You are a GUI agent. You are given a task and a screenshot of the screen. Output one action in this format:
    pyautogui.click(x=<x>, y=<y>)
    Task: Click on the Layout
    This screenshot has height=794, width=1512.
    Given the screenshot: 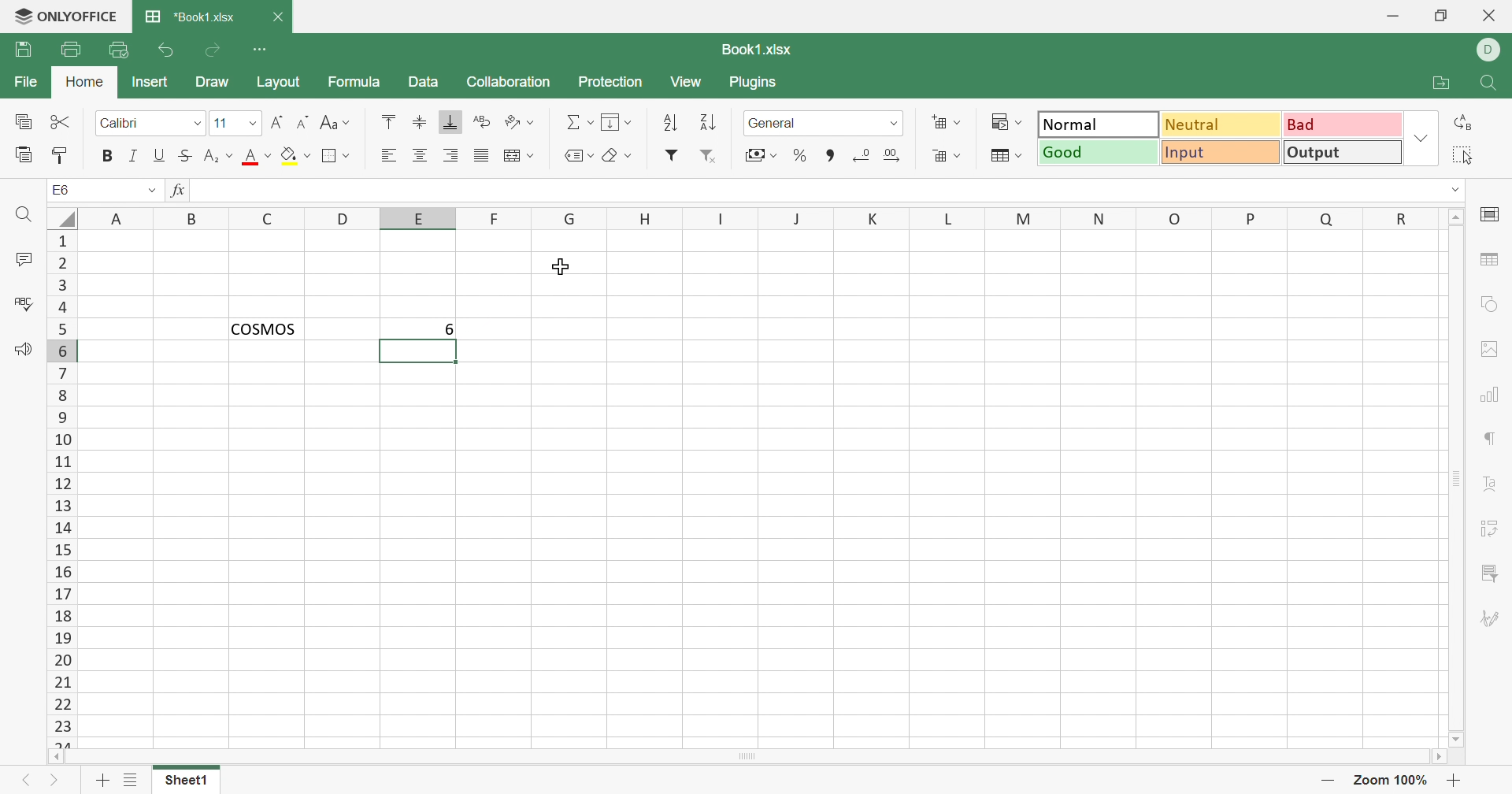 What is the action you would take?
    pyautogui.click(x=279, y=82)
    